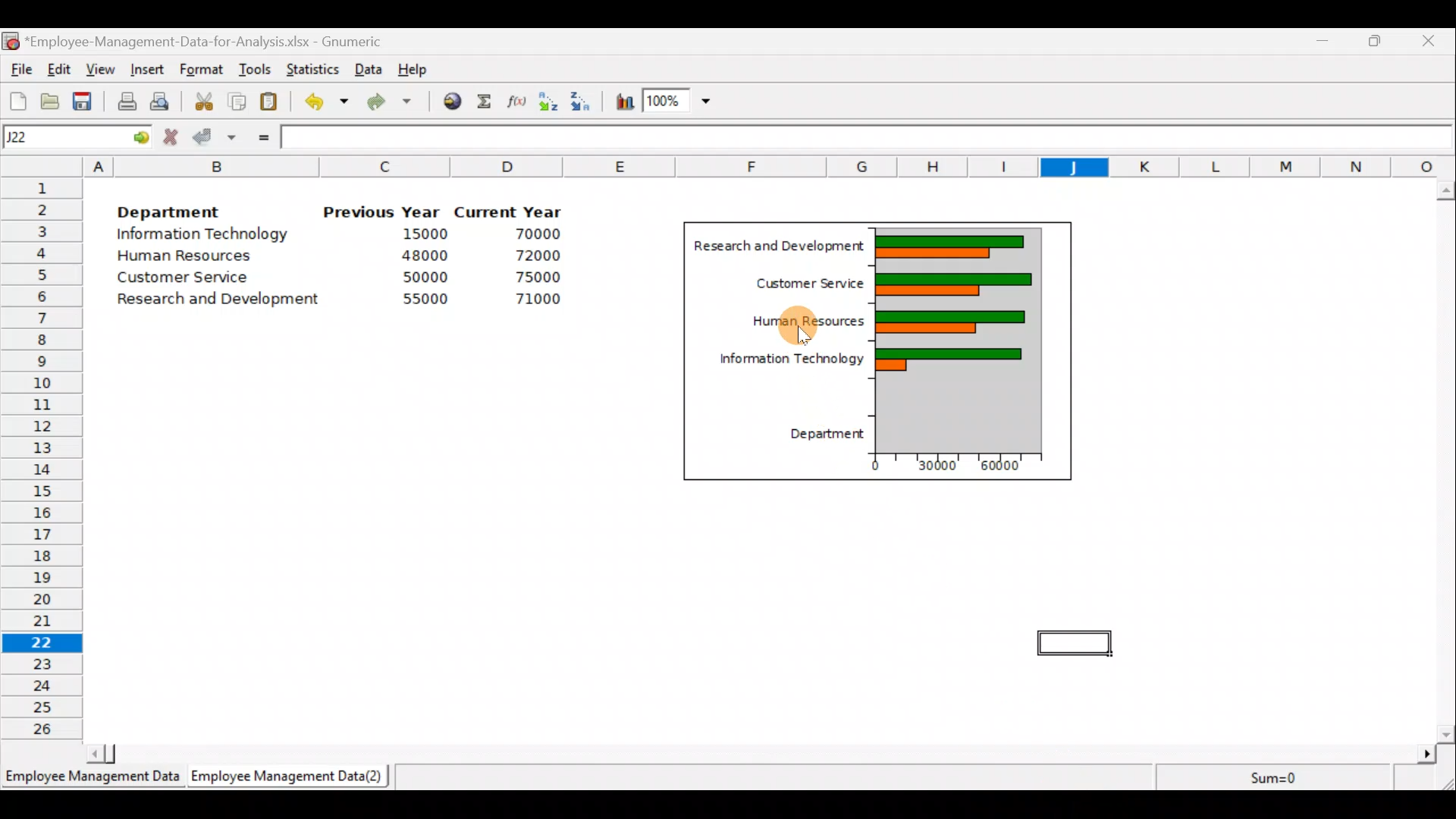 Image resolution: width=1456 pixels, height=819 pixels. I want to click on Chart, so click(959, 337).